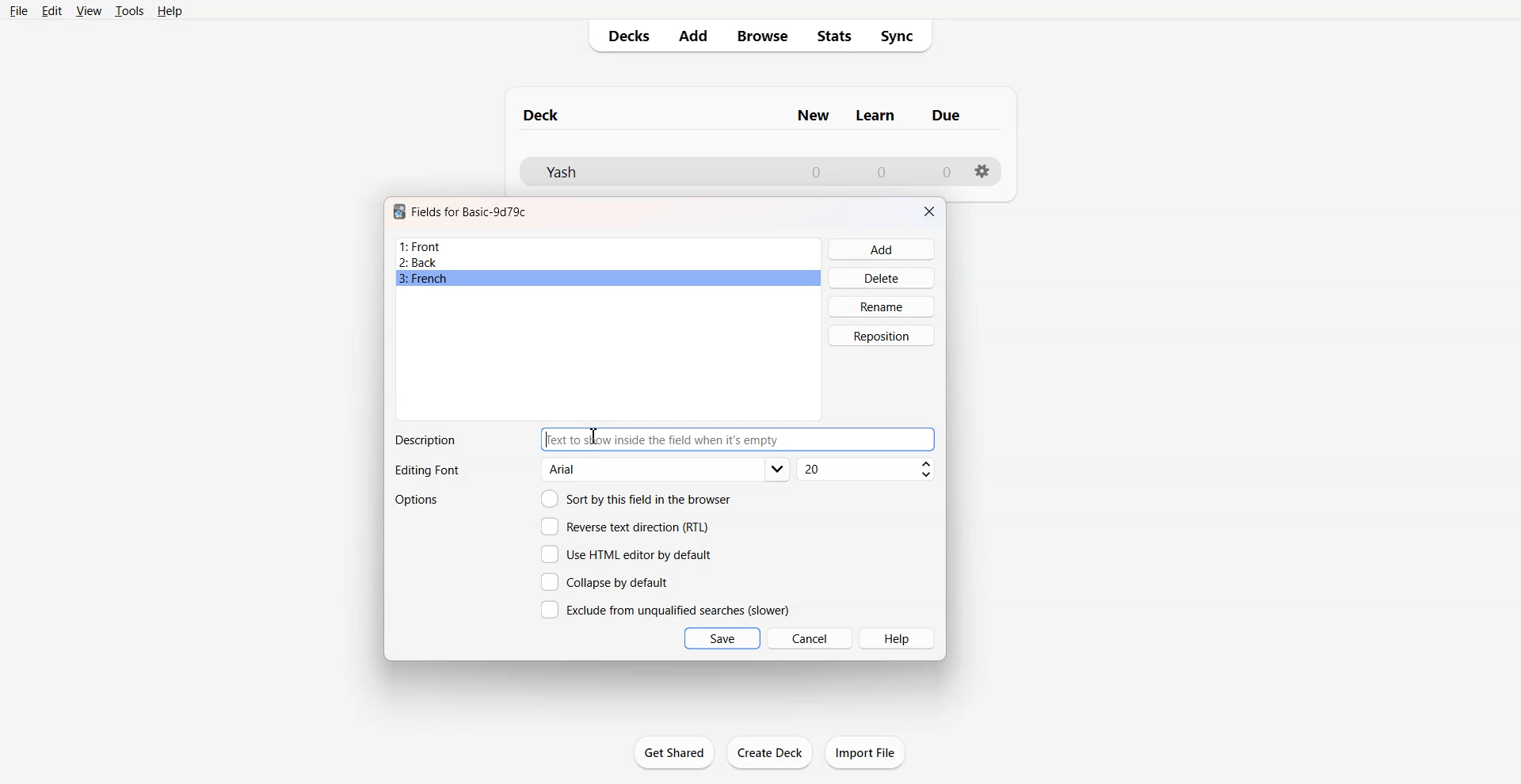 The width and height of the screenshot is (1521, 784). Describe the element at coordinates (626, 554) in the screenshot. I see `Use HTML editor by default` at that location.